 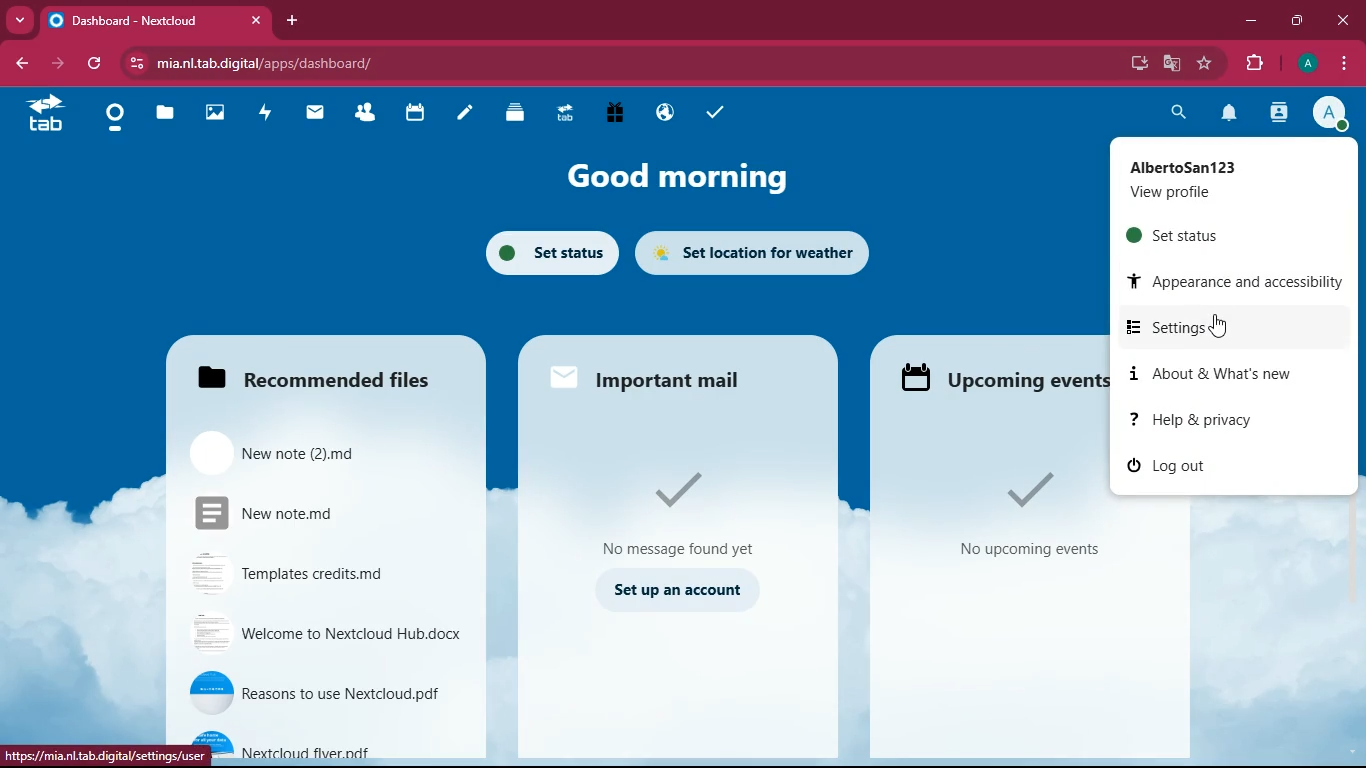 What do you see at coordinates (276, 63) in the screenshot?
I see `mia.nl.tab.digital/apps/dashboard/` at bounding box center [276, 63].